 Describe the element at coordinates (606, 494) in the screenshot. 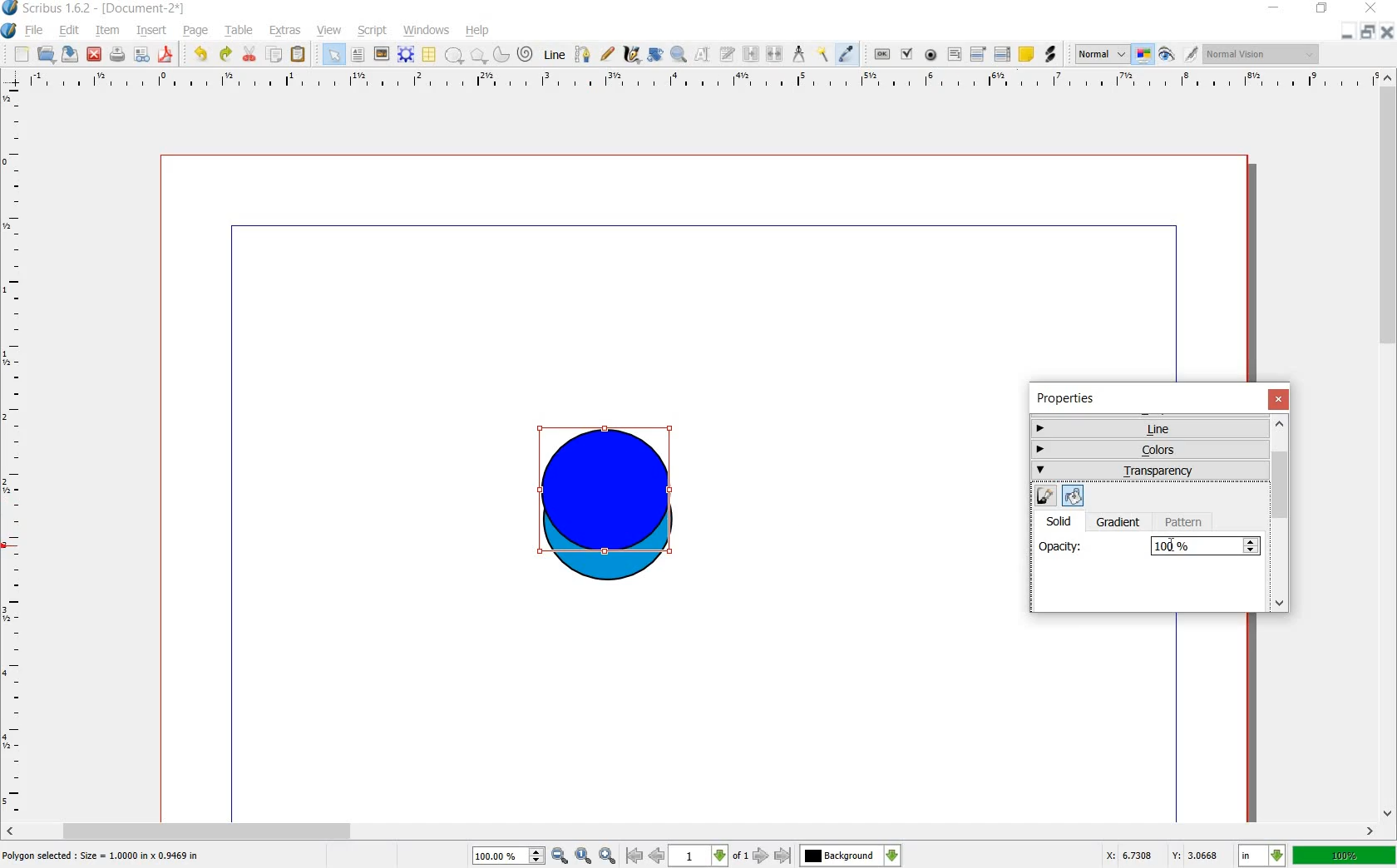

I see `shape selected` at that location.